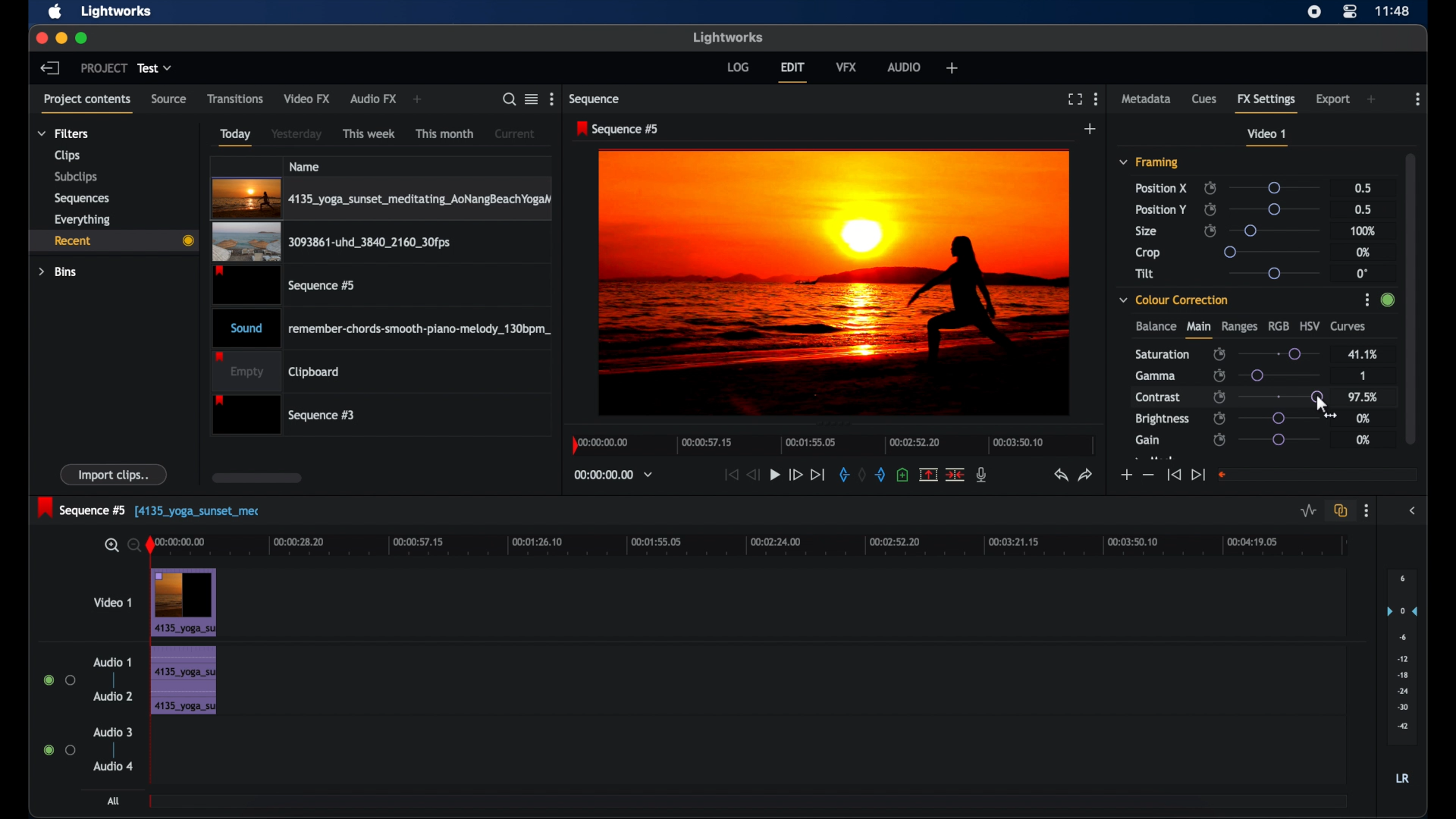  Describe the element at coordinates (1364, 397) in the screenshot. I see `97.5%` at that location.